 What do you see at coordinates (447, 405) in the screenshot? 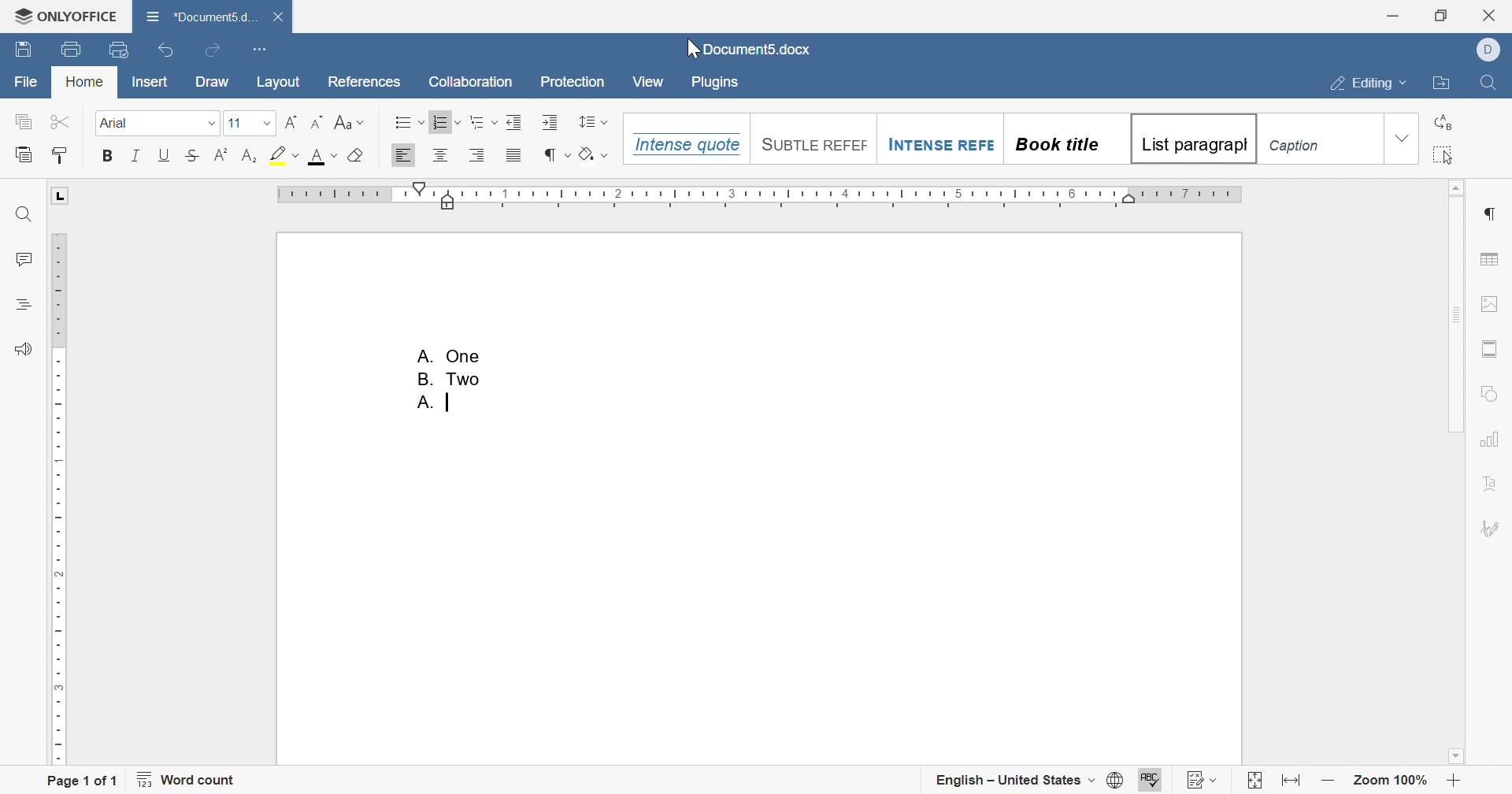
I see `typing cursor` at bounding box center [447, 405].